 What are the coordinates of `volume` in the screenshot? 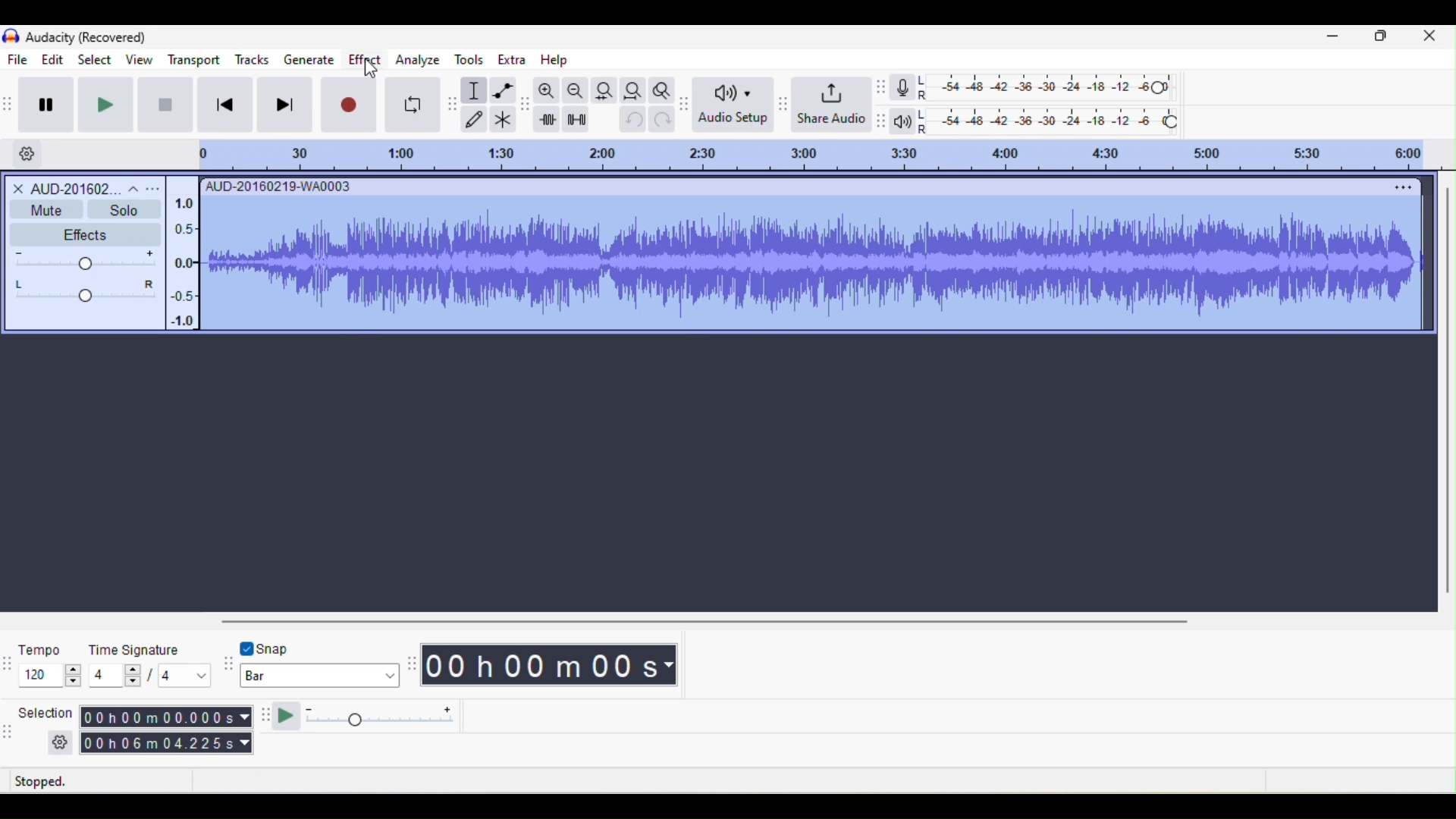 It's located at (87, 257).